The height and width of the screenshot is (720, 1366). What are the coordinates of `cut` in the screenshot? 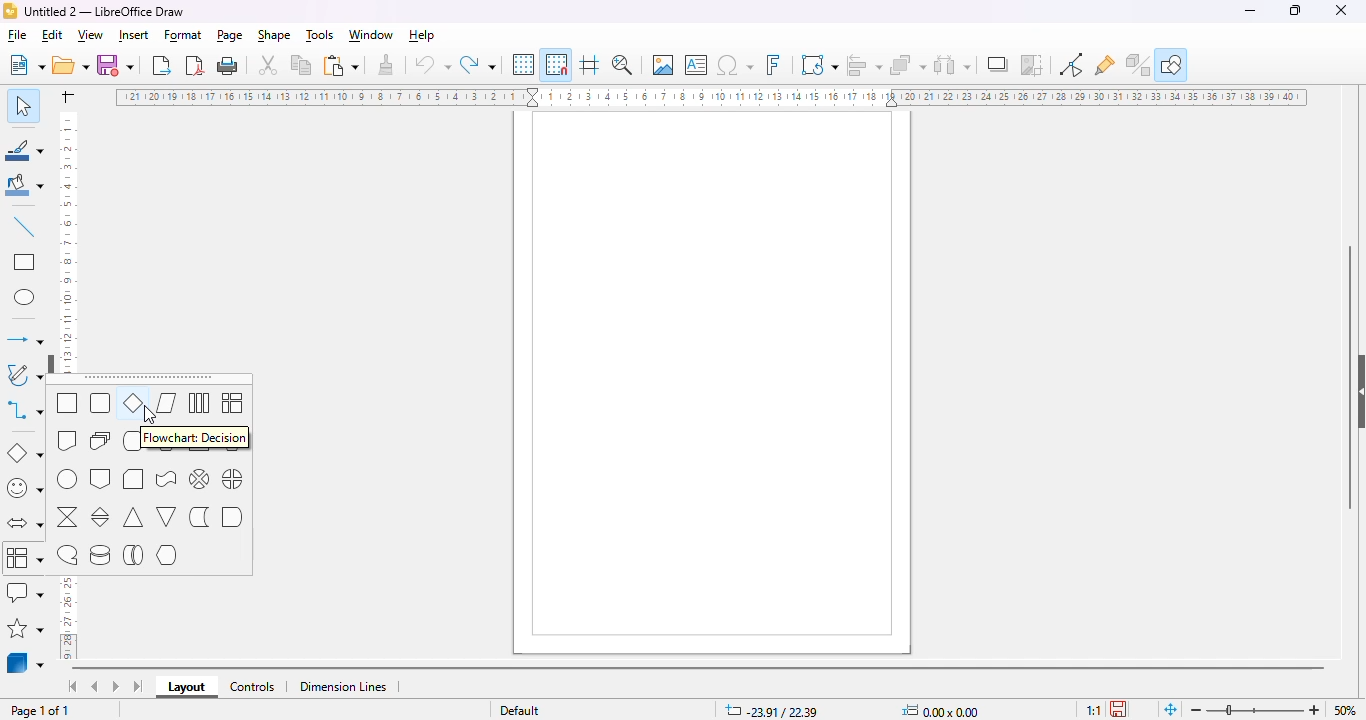 It's located at (268, 65).